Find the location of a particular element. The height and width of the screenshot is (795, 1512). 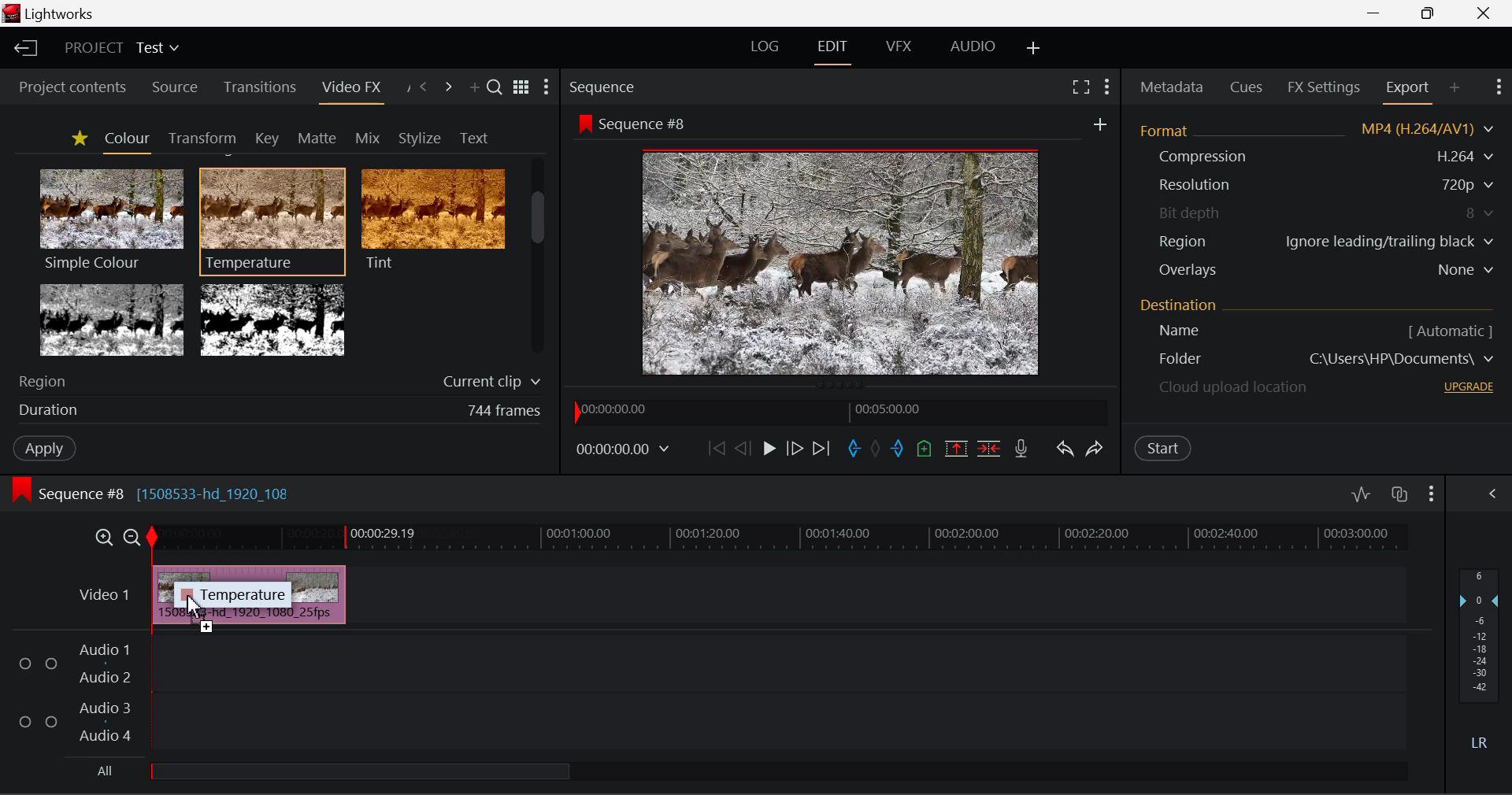

Full Screen is located at coordinates (1079, 90).